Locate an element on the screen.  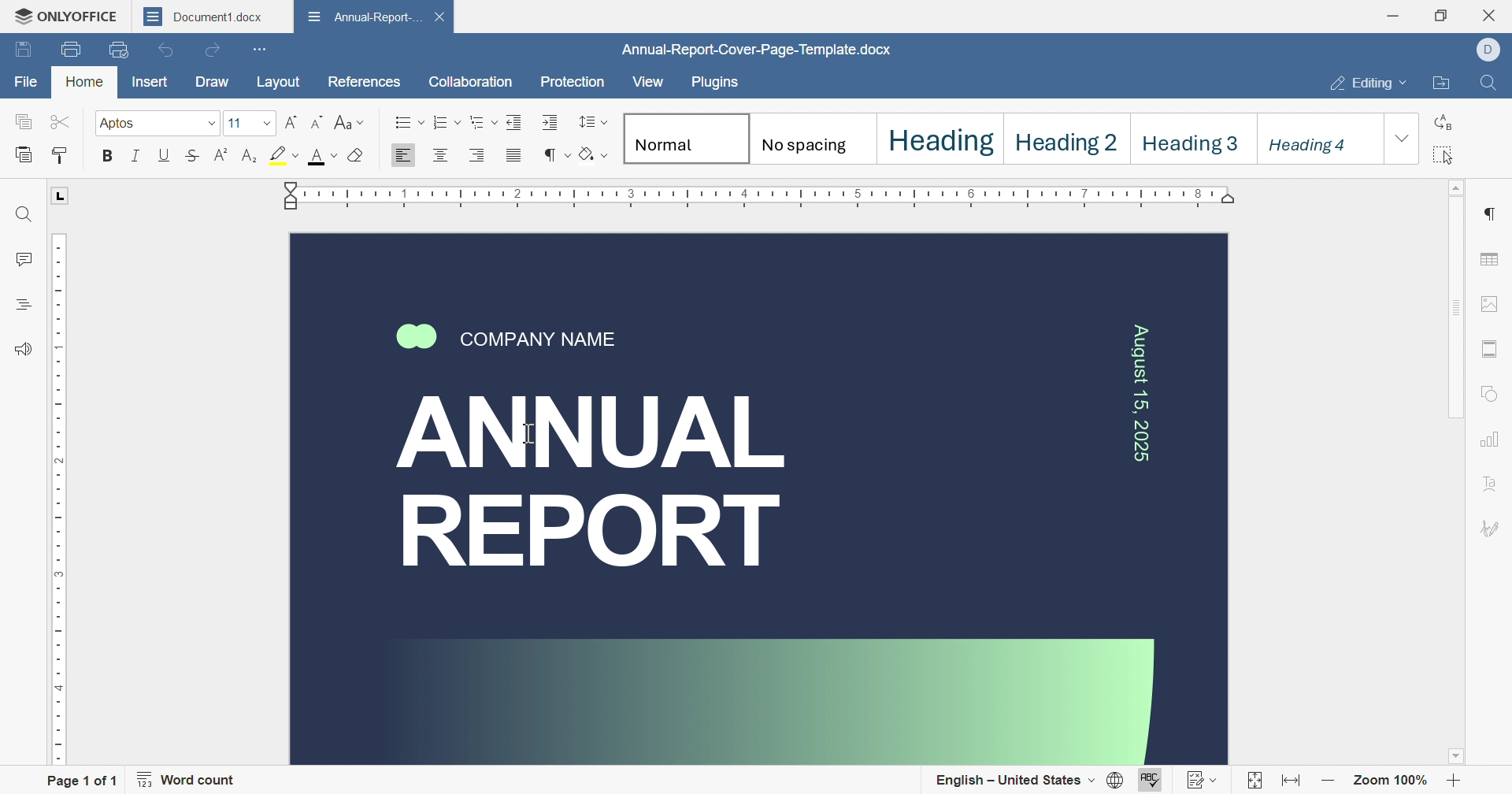
select all is located at coordinates (1442, 156).